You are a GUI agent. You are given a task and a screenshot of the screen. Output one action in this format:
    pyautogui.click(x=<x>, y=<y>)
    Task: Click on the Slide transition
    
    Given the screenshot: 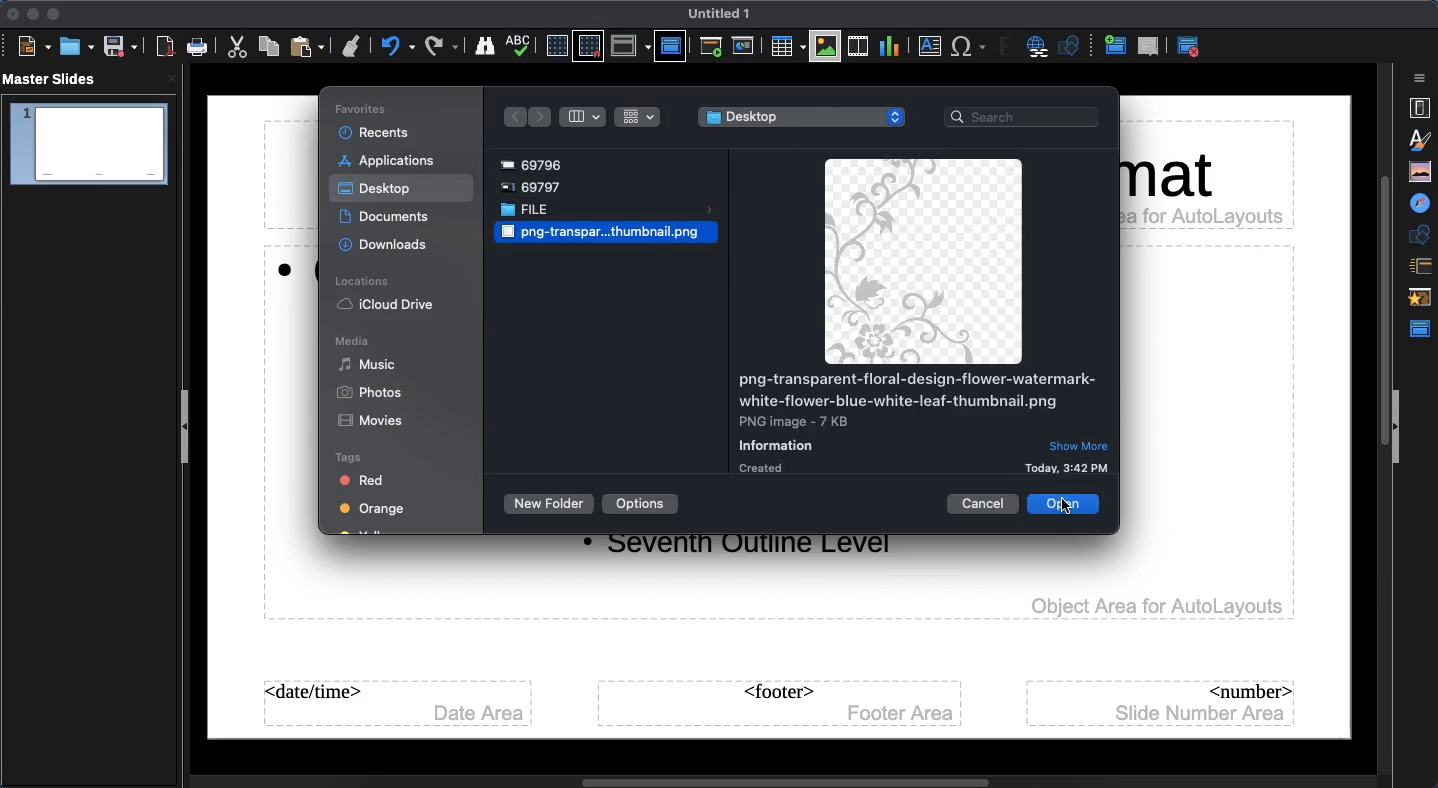 What is the action you would take?
    pyautogui.click(x=1419, y=267)
    